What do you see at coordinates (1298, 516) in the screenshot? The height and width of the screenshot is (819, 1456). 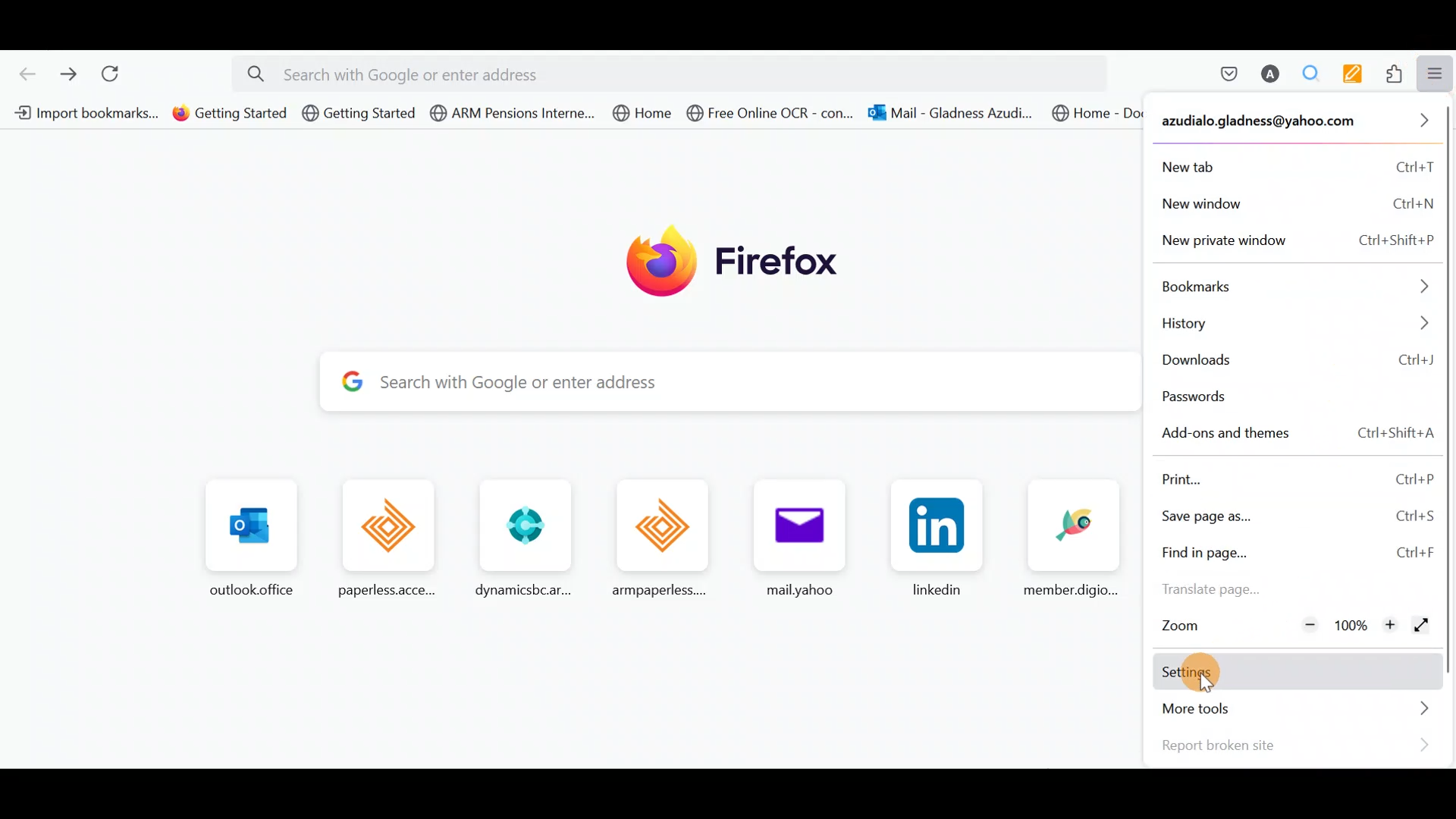 I see `Save page as` at bounding box center [1298, 516].